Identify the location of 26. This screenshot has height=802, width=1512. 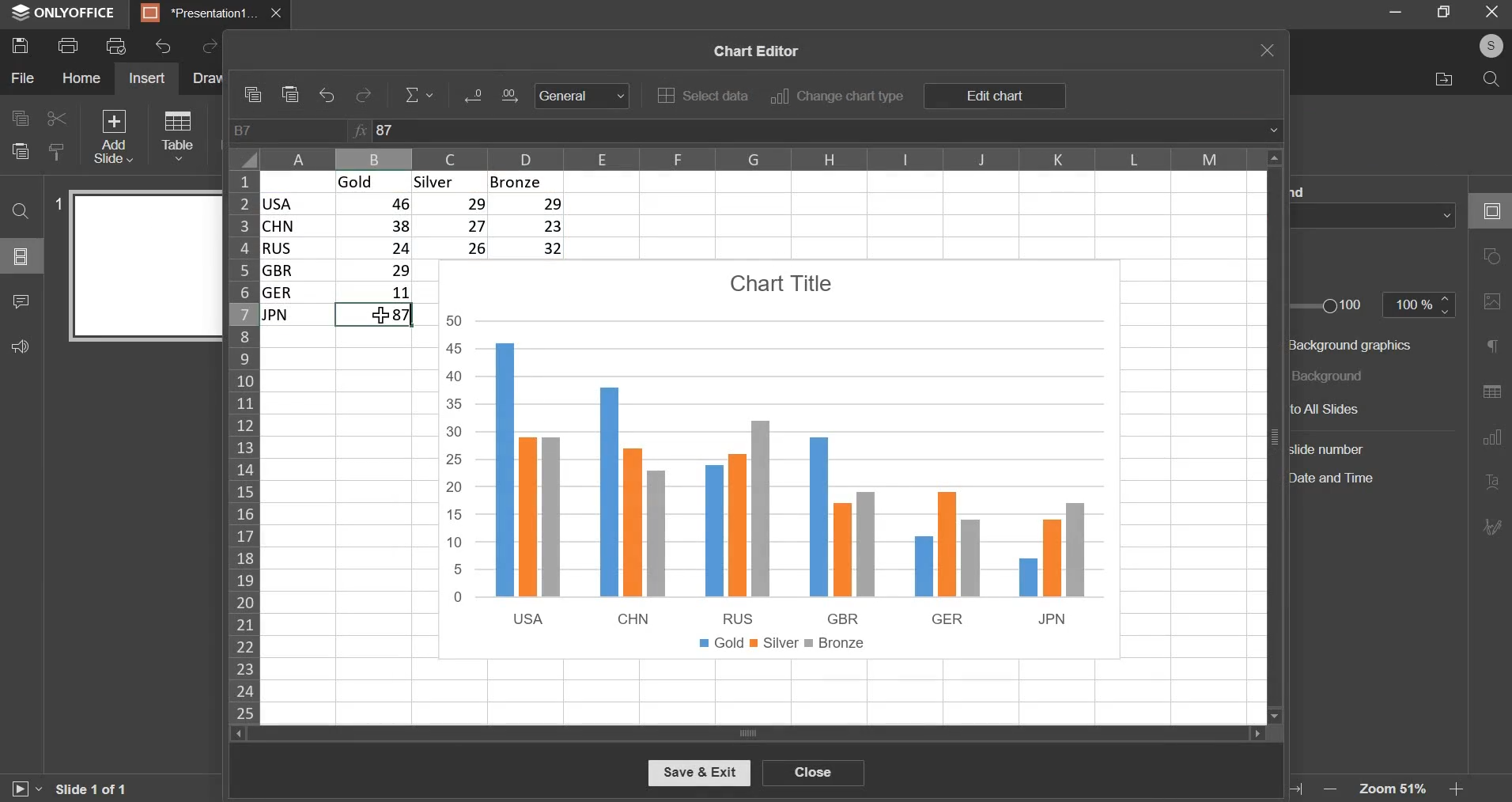
(455, 248).